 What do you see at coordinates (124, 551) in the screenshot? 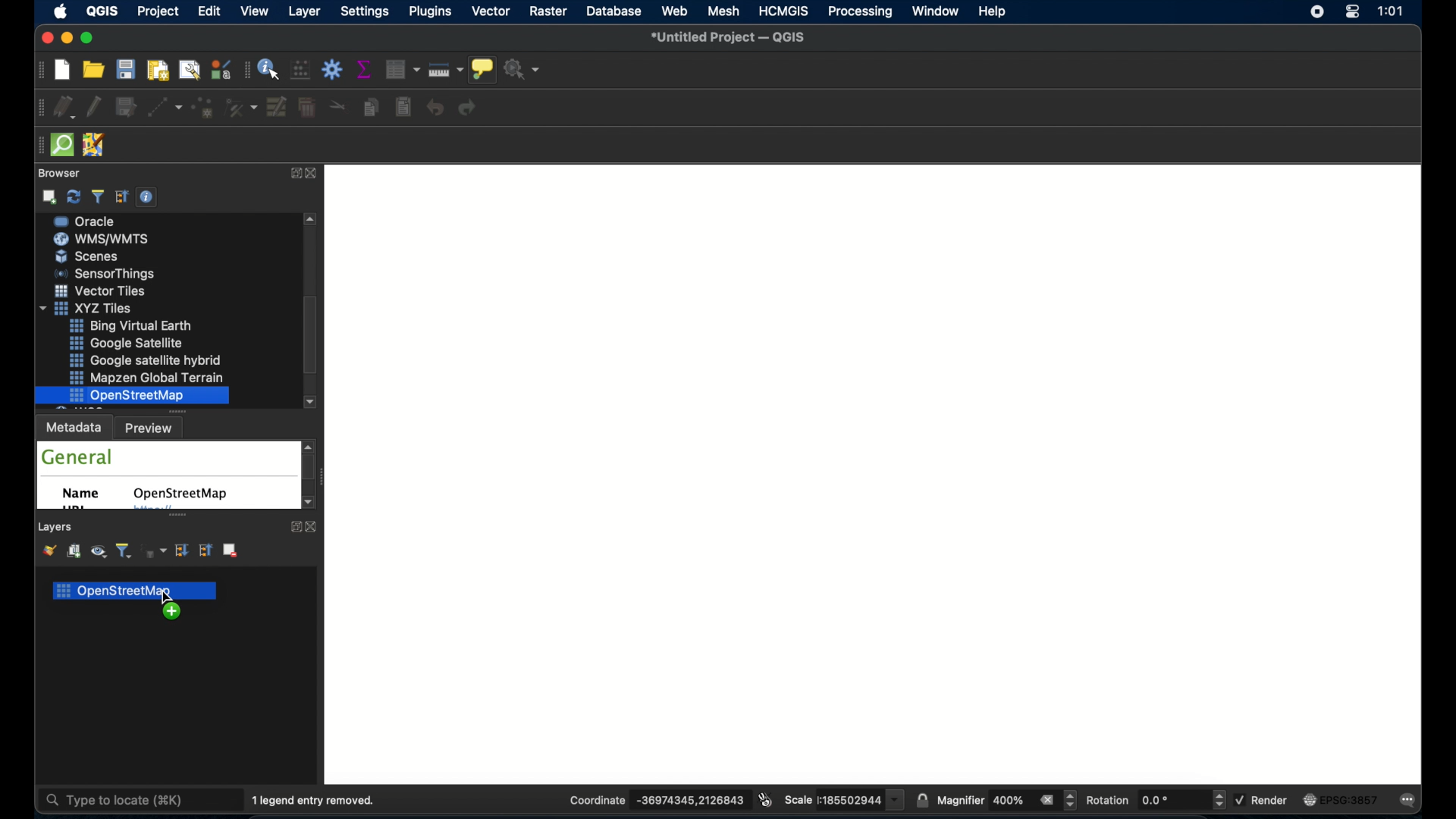
I see `filter legend` at bounding box center [124, 551].